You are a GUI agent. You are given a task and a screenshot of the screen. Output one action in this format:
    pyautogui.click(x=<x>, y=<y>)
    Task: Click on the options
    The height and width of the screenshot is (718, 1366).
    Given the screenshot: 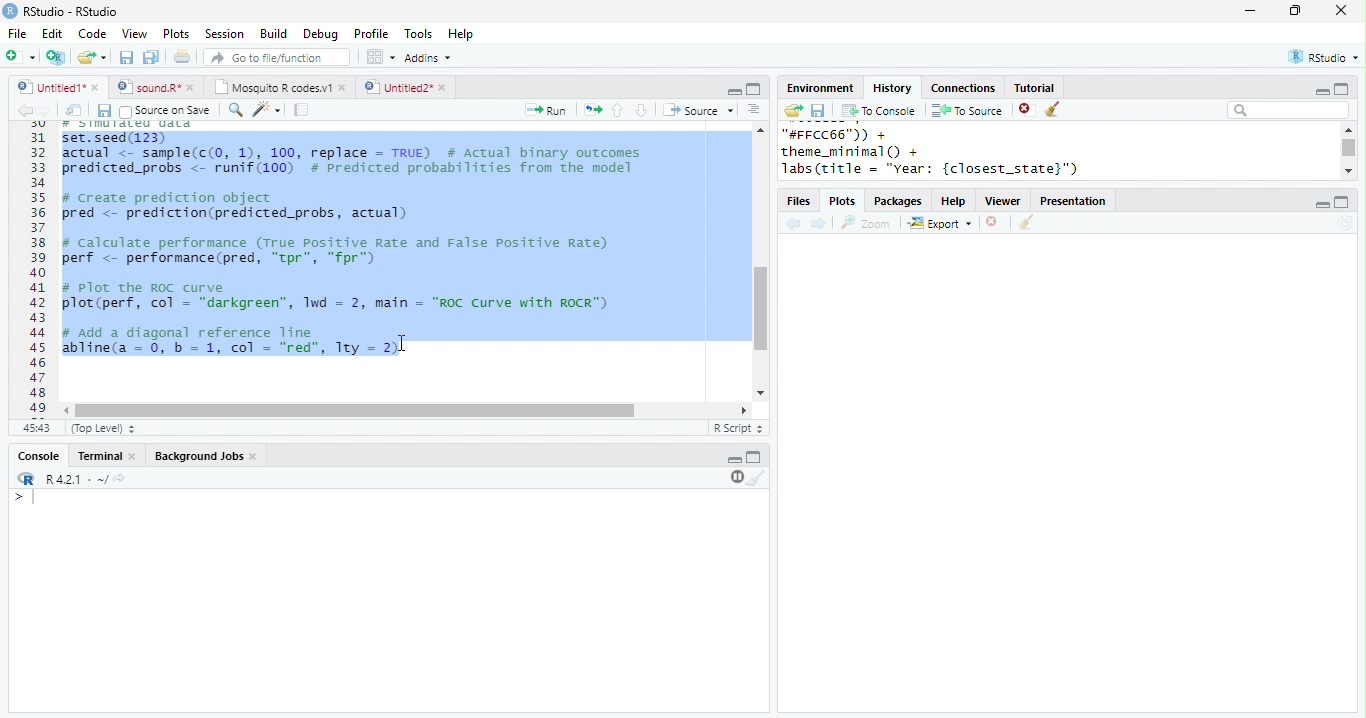 What is the action you would take?
    pyautogui.click(x=754, y=109)
    